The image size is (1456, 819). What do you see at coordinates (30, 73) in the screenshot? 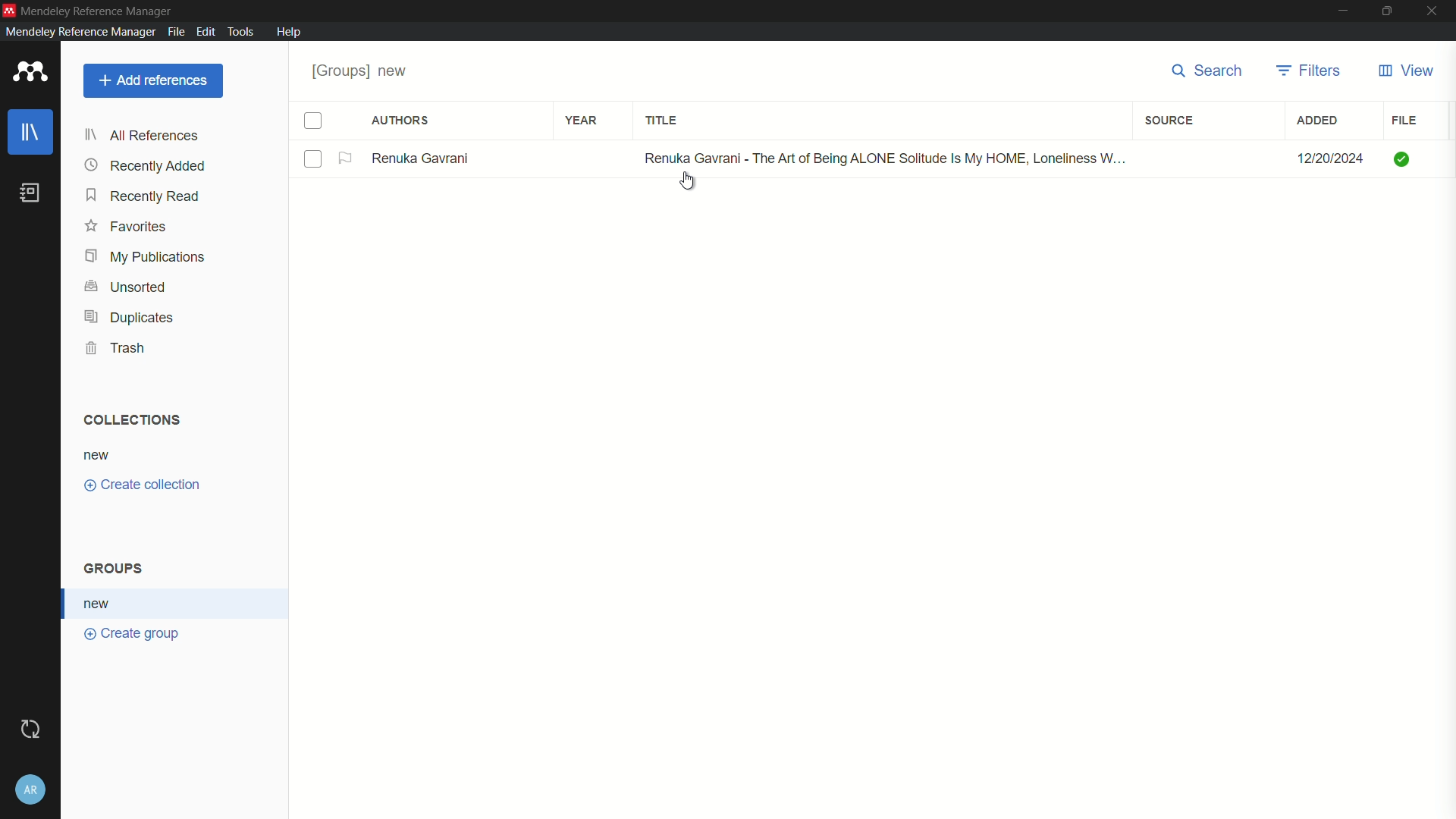
I see `app icon` at bounding box center [30, 73].